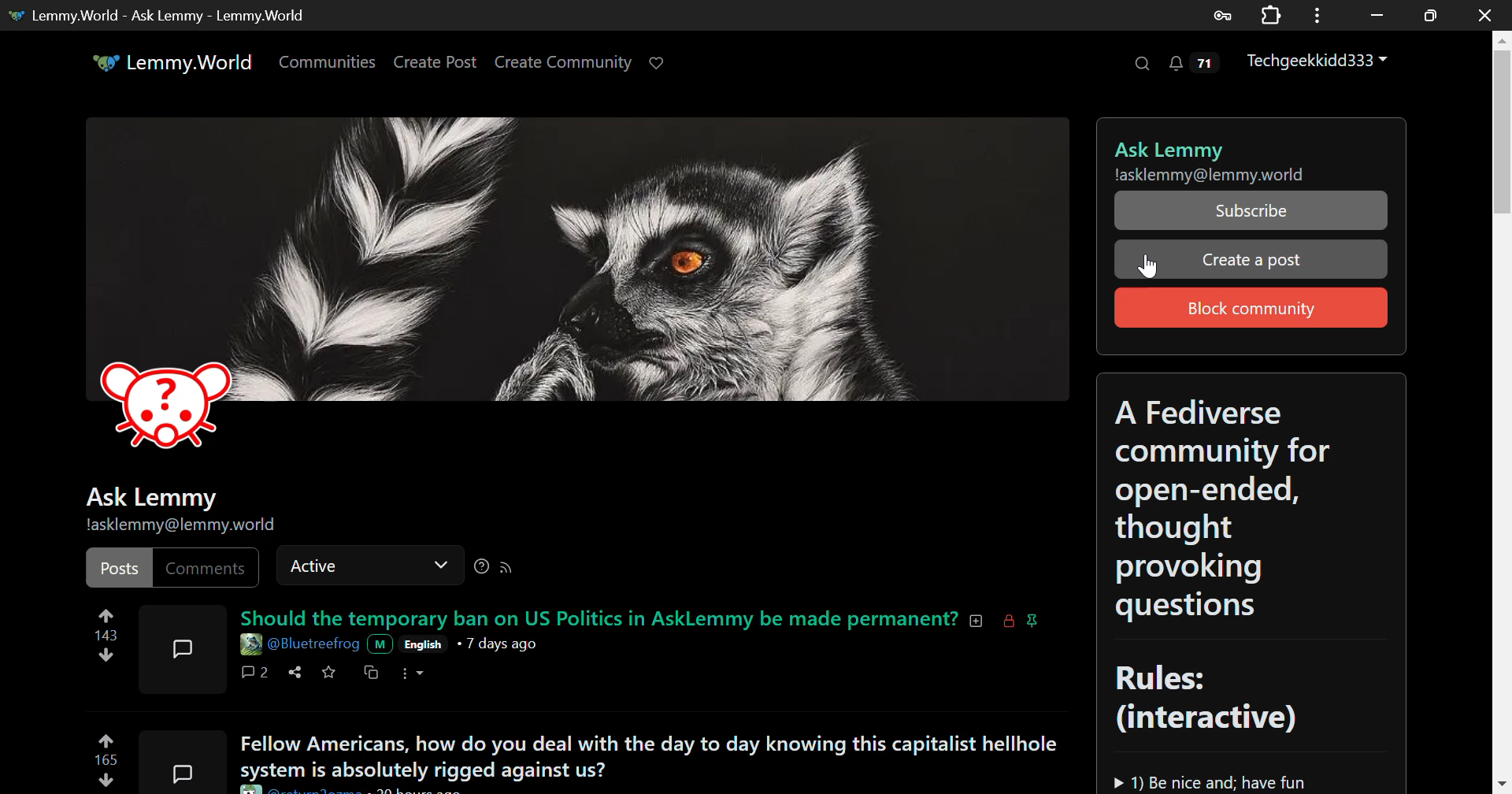 The height and width of the screenshot is (794, 1512). What do you see at coordinates (106, 759) in the screenshot?
I see `Post Vote Counter` at bounding box center [106, 759].